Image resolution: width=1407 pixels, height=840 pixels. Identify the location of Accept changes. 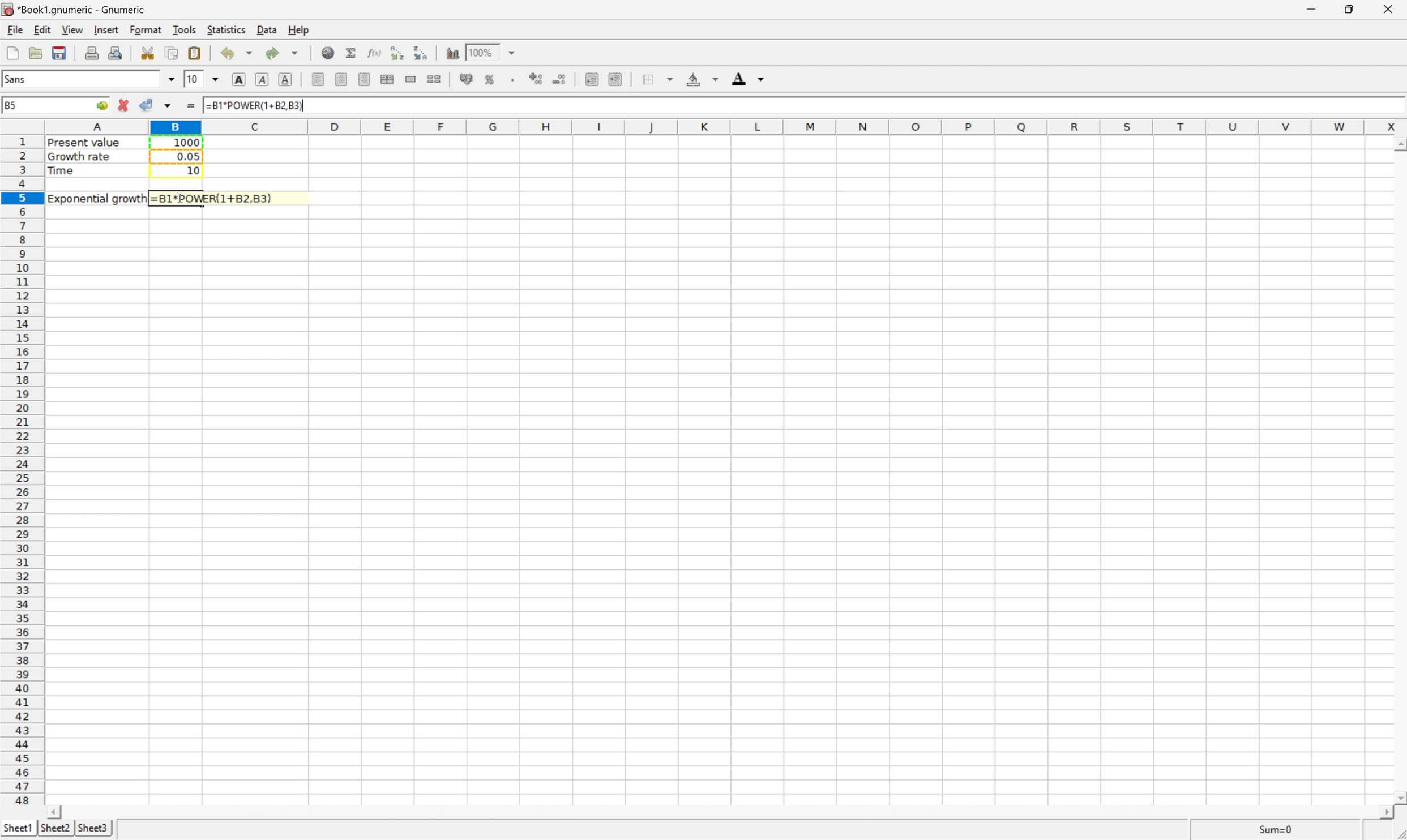
(149, 103).